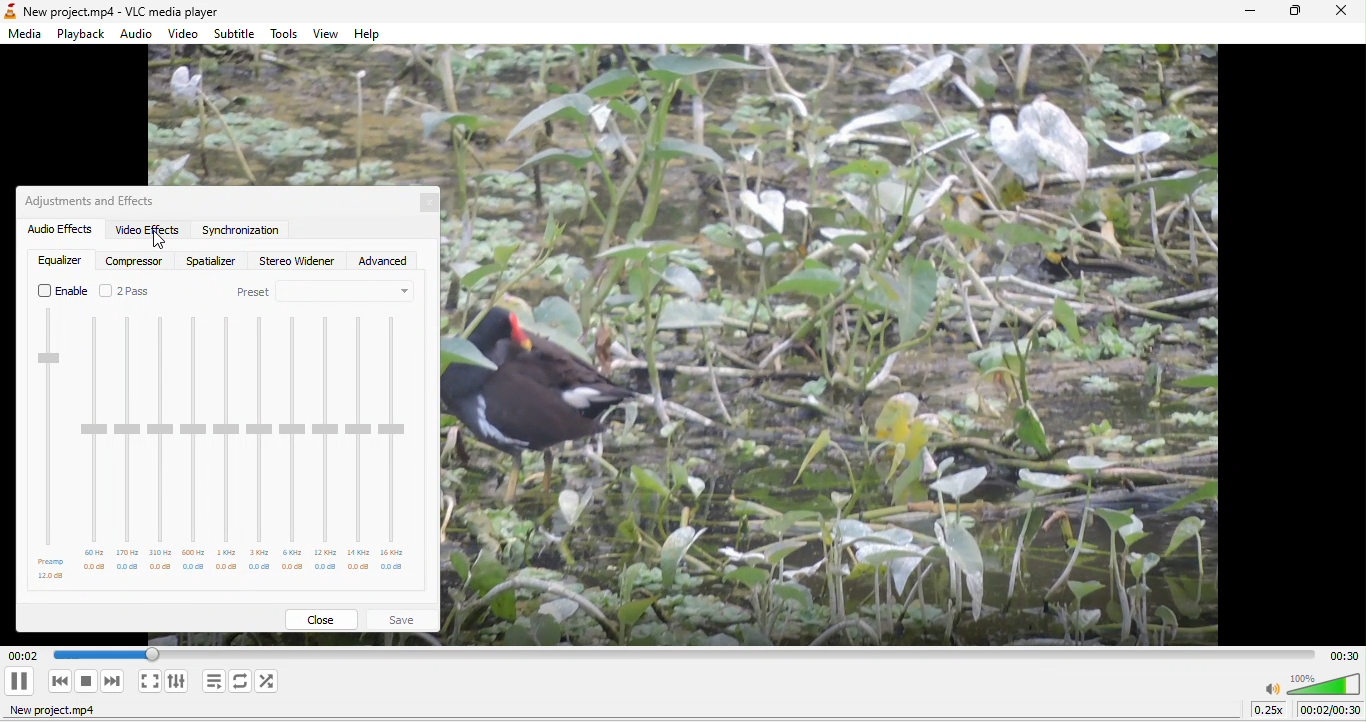 The image size is (1366, 722). I want to click on audio, so click(138, 34).